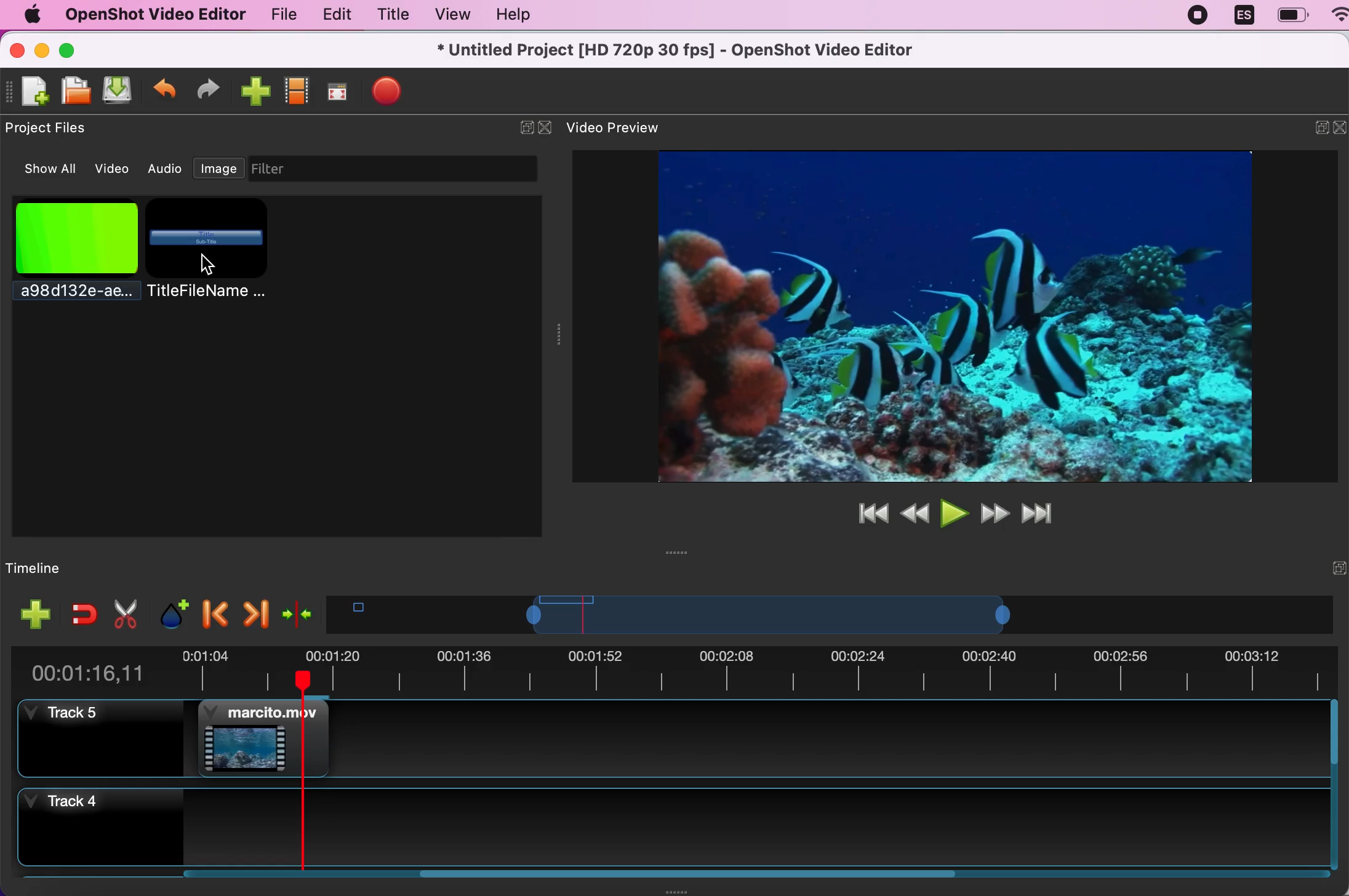 The image size is (1349, 896). Describe the element at coordinates (1199, 18) in the screenshot. I see `recording stopped` at that location.